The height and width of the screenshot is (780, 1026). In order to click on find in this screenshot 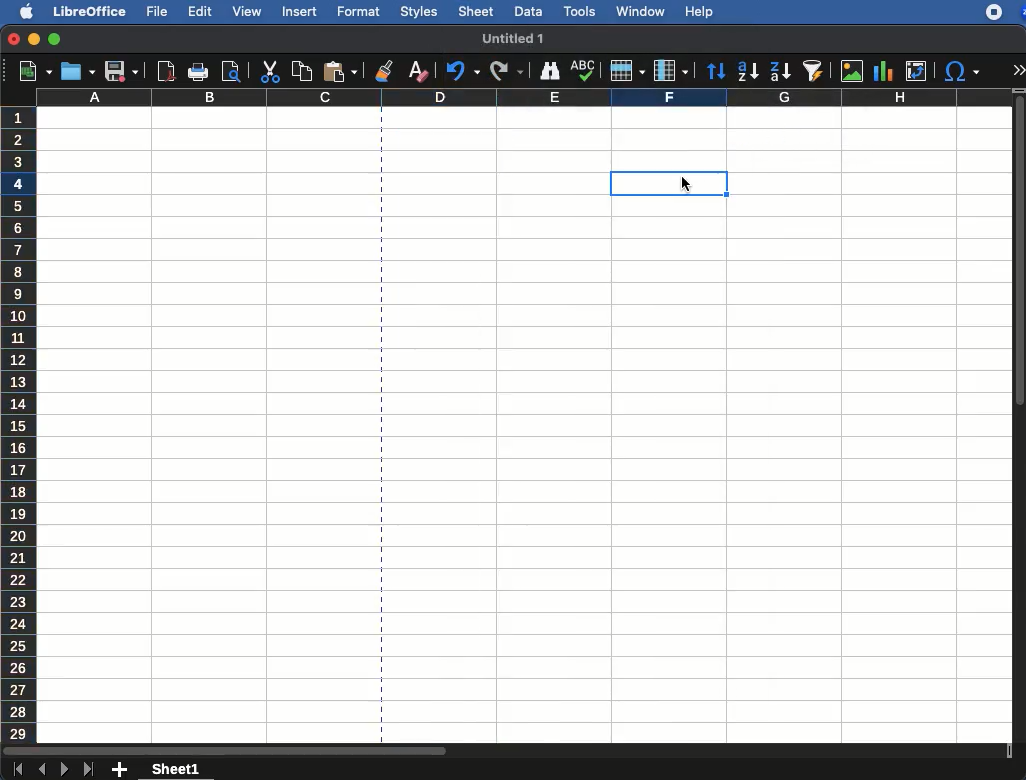, I will do `click(548, 69)`.